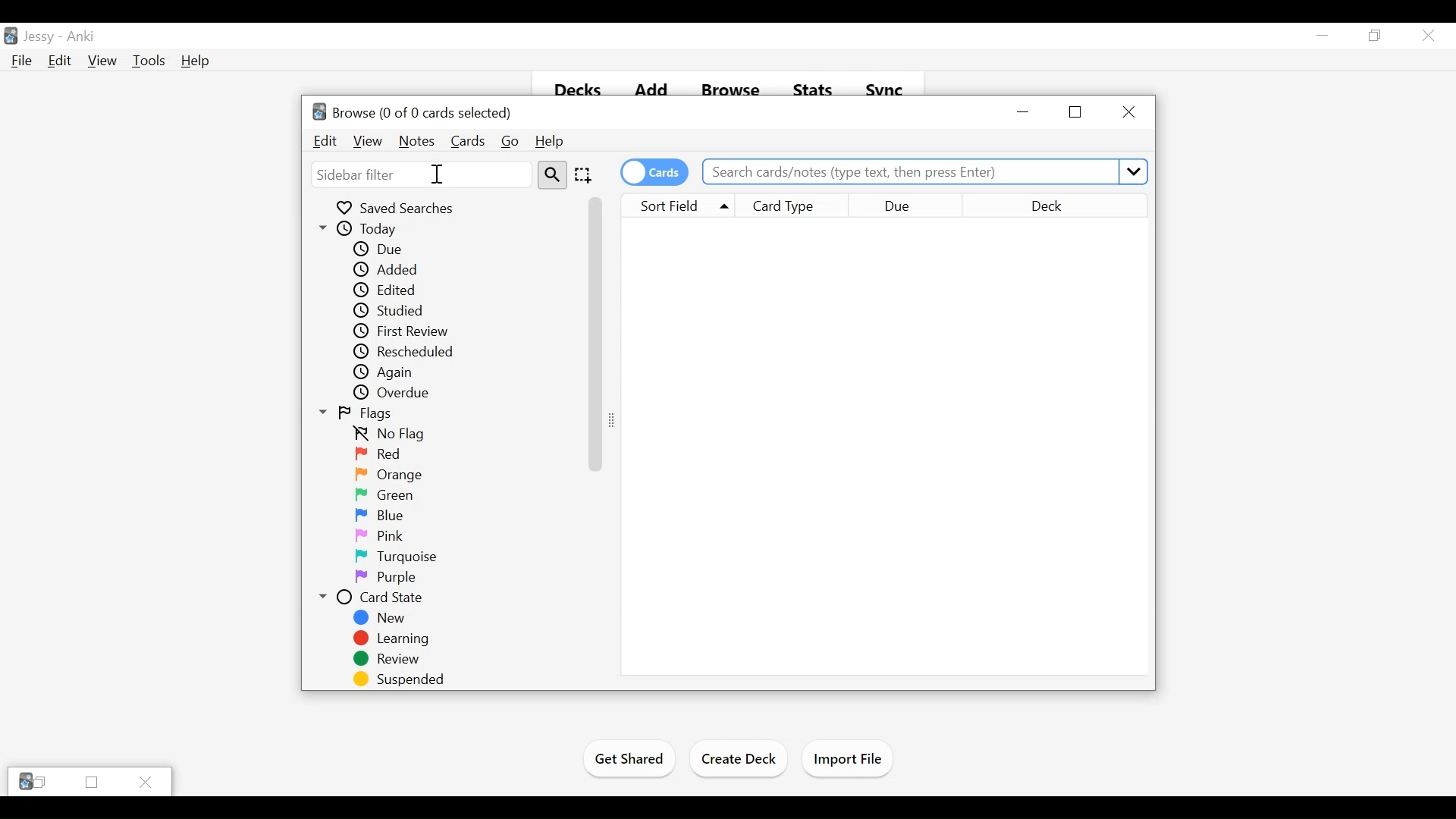  Describe the element at coordinates (413, 113) in the screenshot. I see `Browse (0 of 0 cards selected)` at that location.